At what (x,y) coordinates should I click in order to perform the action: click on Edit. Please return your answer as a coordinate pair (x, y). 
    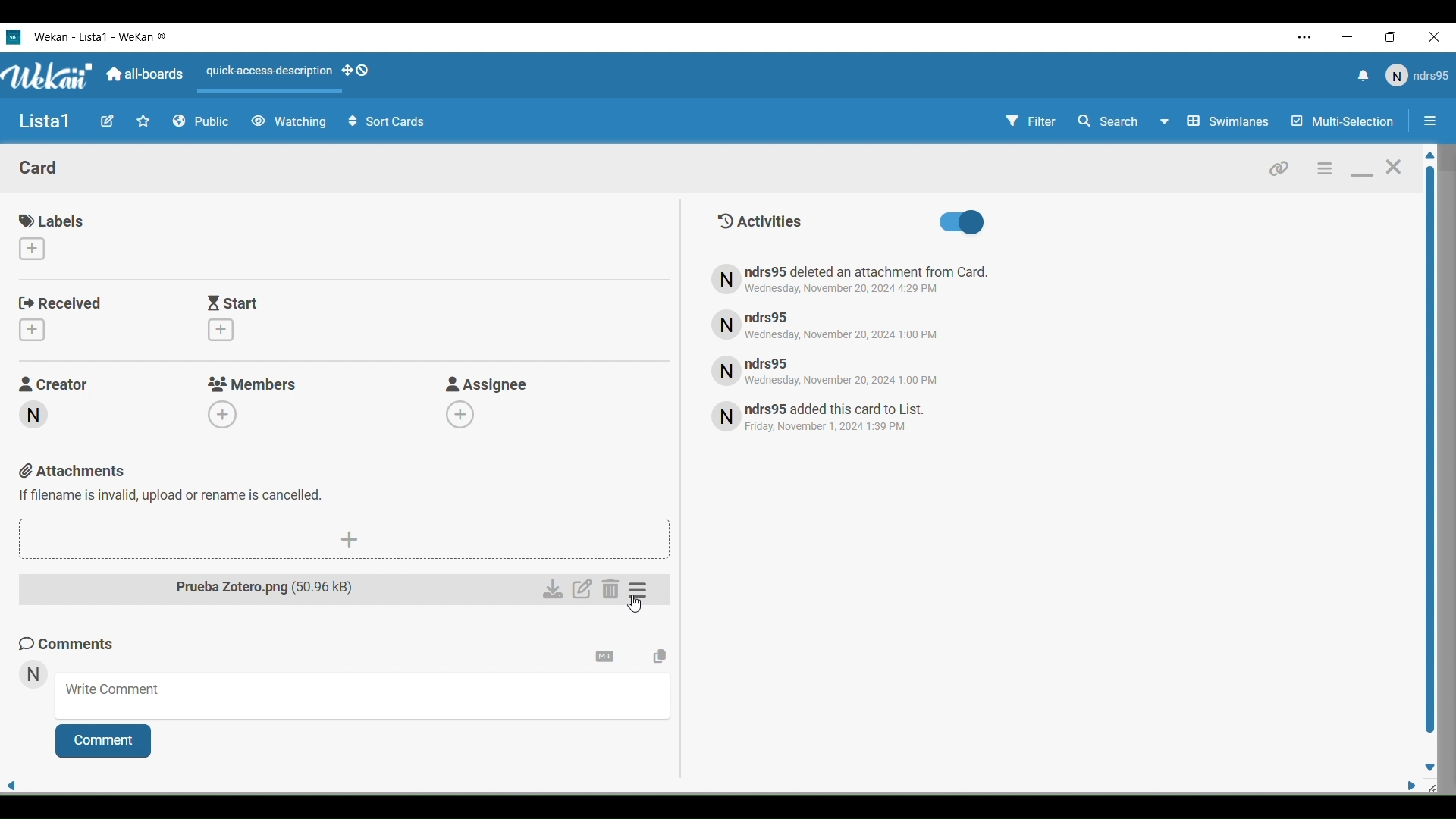
    Looking at the image, I should click on (107, 121).